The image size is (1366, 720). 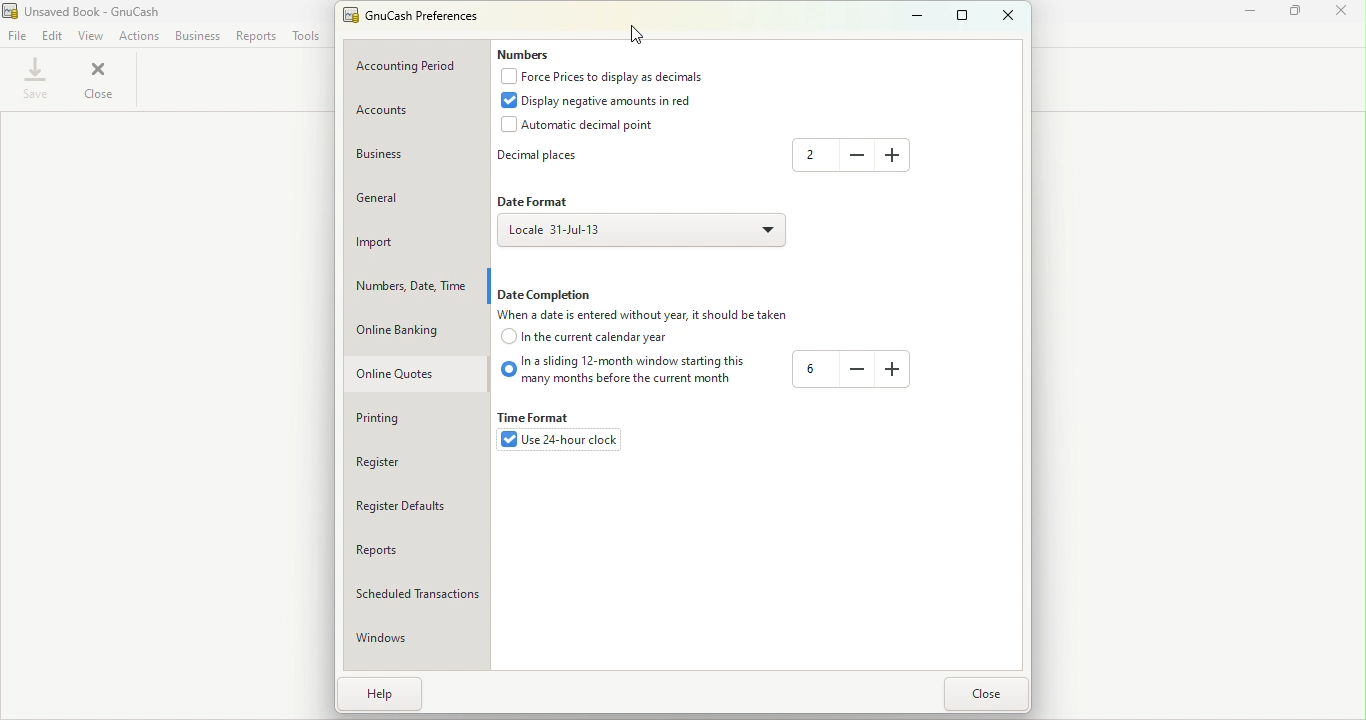 What do you see at coordinates (402, 335) in the screenshot?
I see `Online banking` at bounding box center [402, 335].